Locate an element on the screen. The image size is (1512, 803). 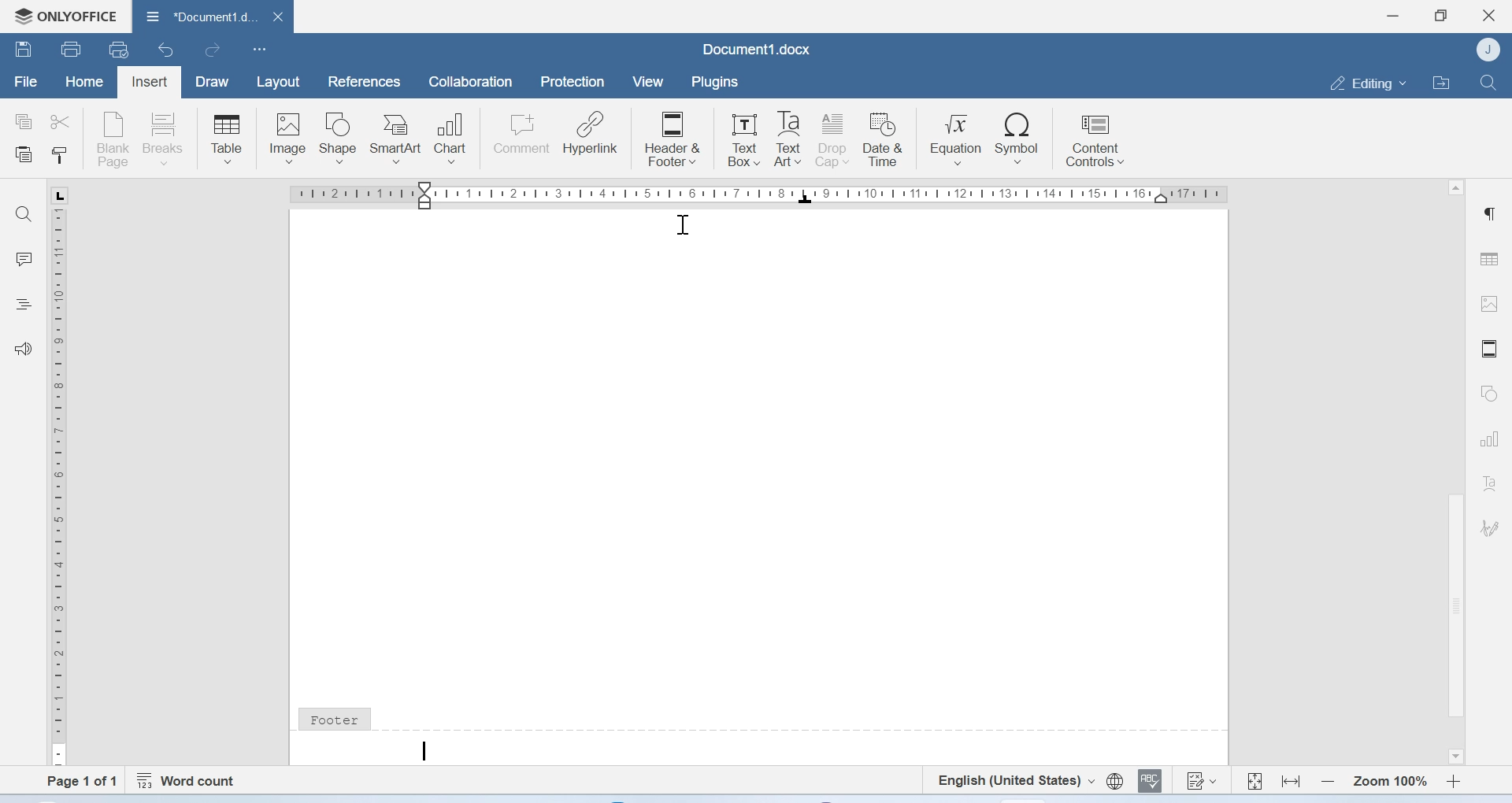
Text is located at coordinates (1489, 483).